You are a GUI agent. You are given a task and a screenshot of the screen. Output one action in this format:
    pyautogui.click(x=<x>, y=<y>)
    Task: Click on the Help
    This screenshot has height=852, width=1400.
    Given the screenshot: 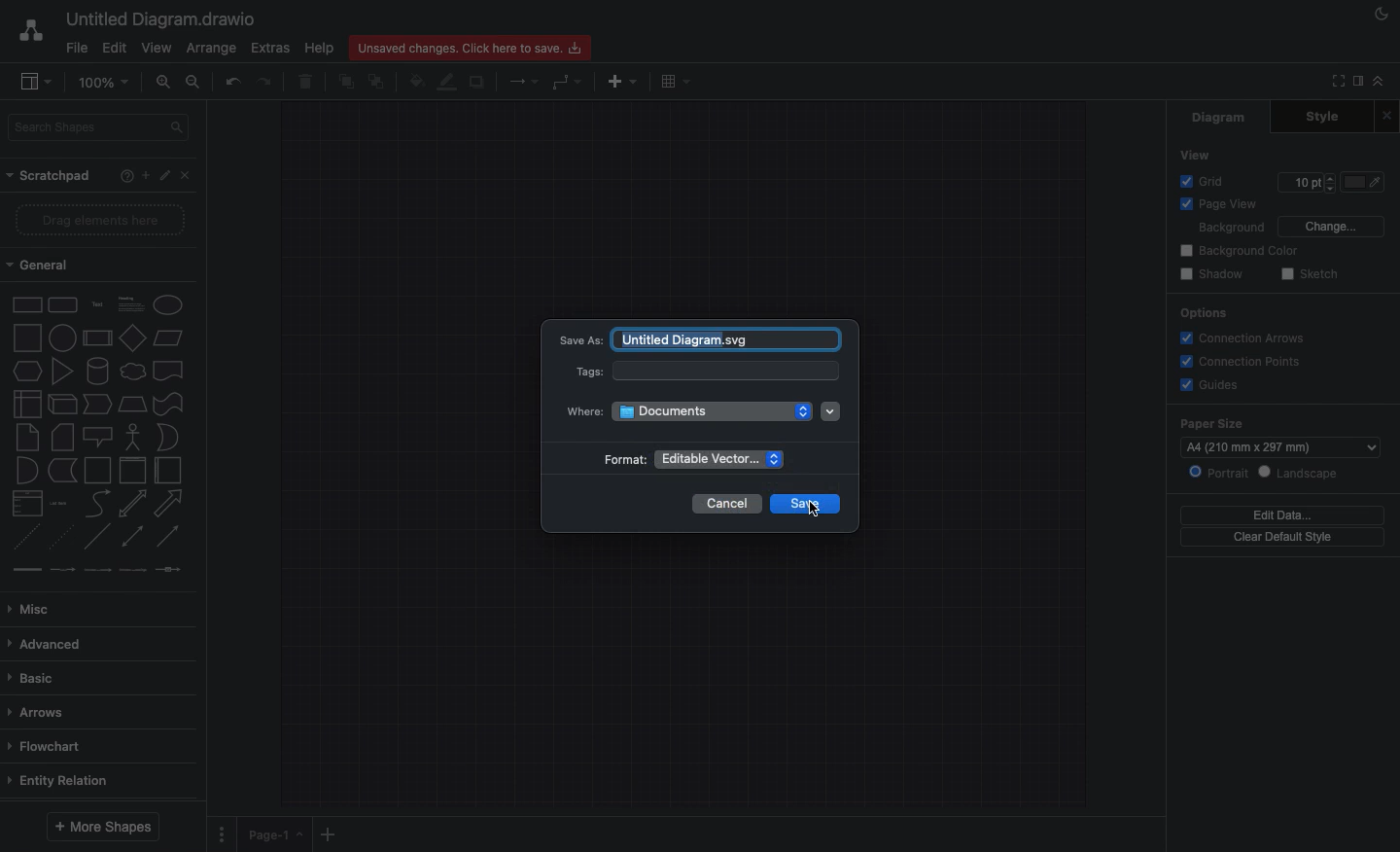 What is the action you would take?
    pyautogui.click(x=321, y=49)
    